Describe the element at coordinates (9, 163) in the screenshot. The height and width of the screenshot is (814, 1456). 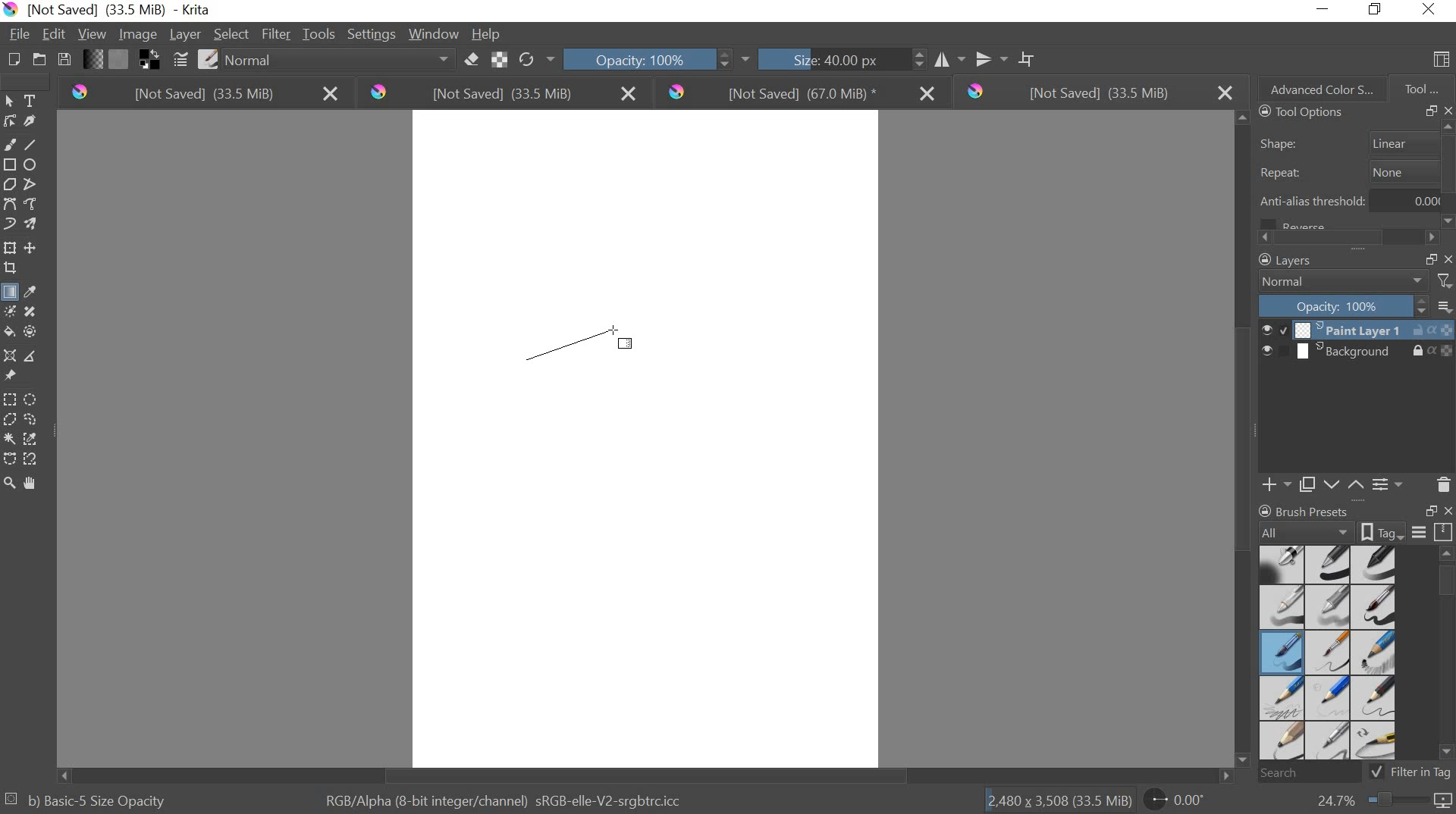
I see `rectangle` at that location.